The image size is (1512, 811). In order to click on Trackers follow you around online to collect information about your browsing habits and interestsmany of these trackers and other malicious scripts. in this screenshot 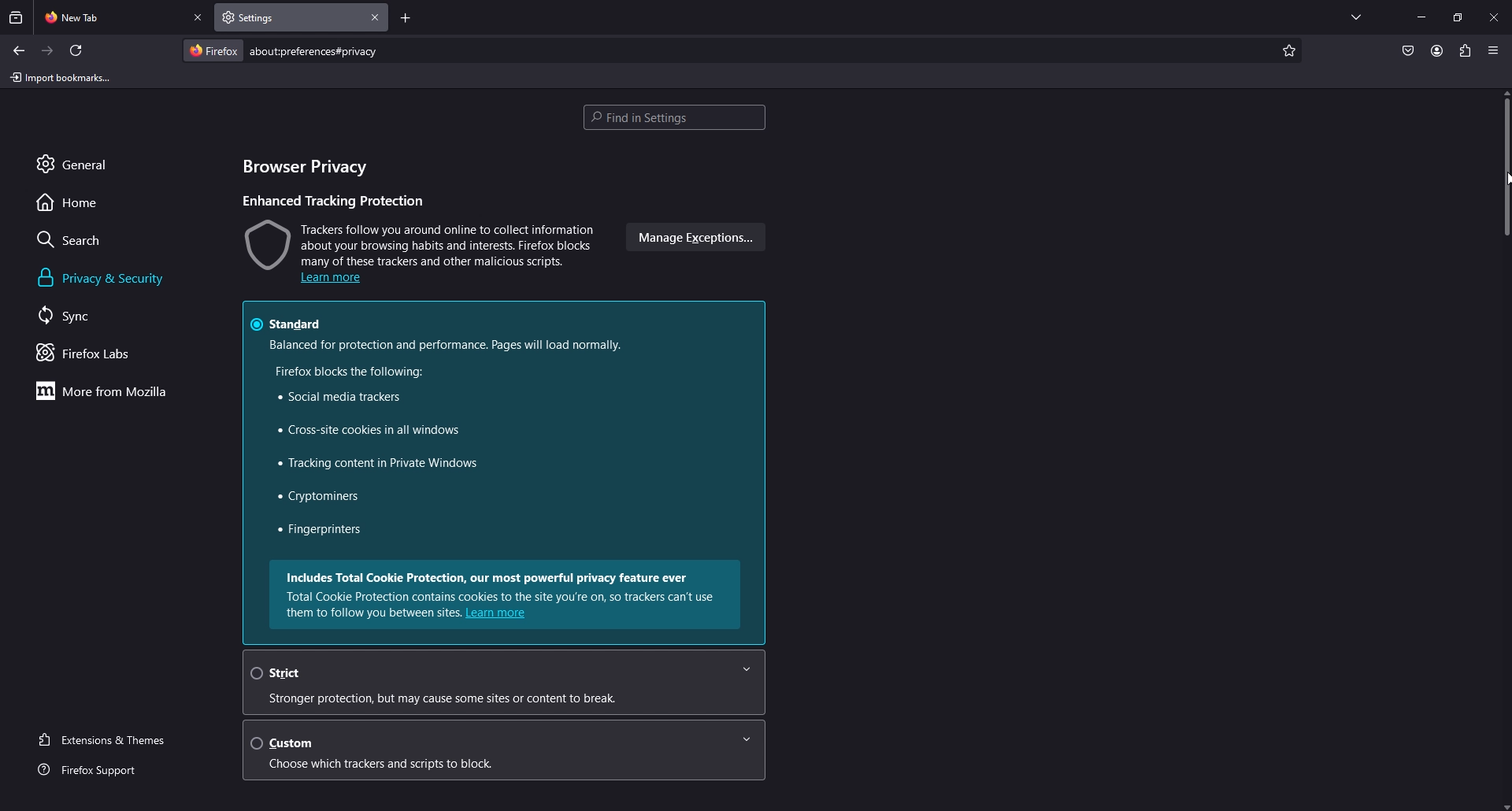, I will do `click(448, 243)`.